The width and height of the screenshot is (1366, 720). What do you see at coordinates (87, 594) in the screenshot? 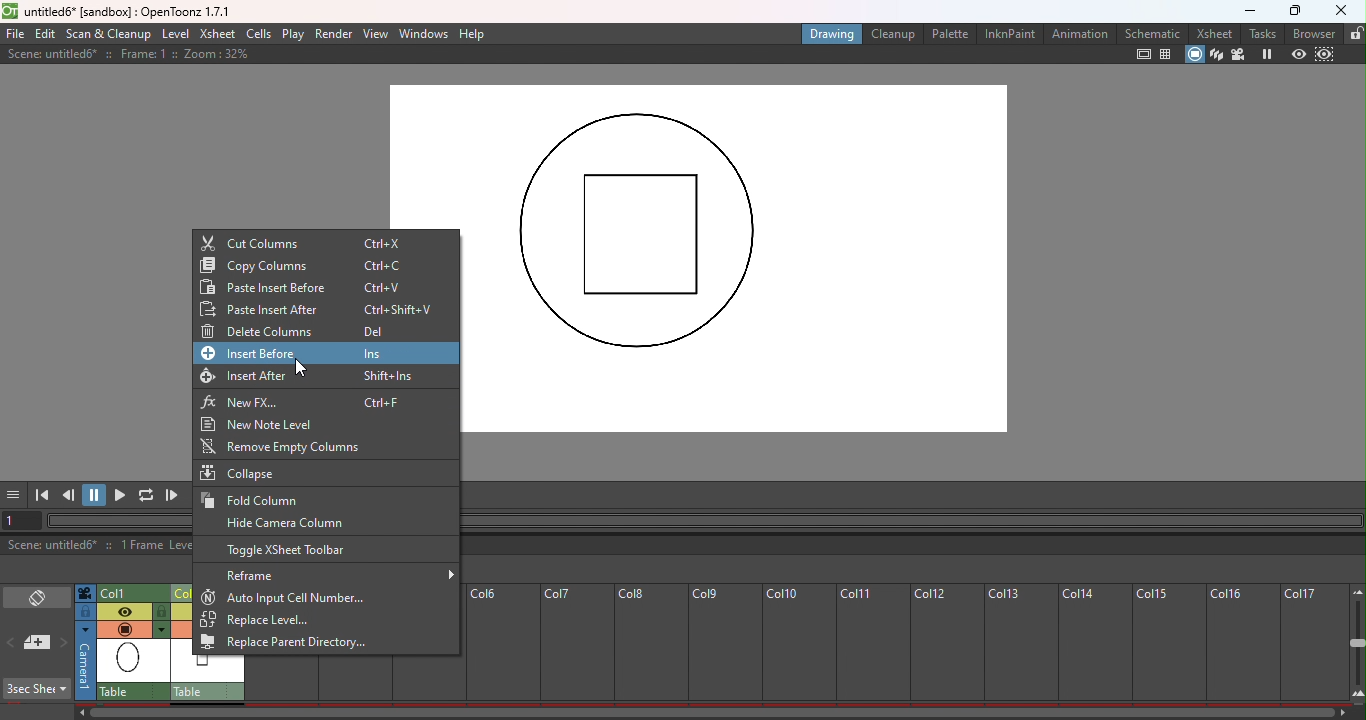
I see `Click to select camera` at bounding box center [87, 594].